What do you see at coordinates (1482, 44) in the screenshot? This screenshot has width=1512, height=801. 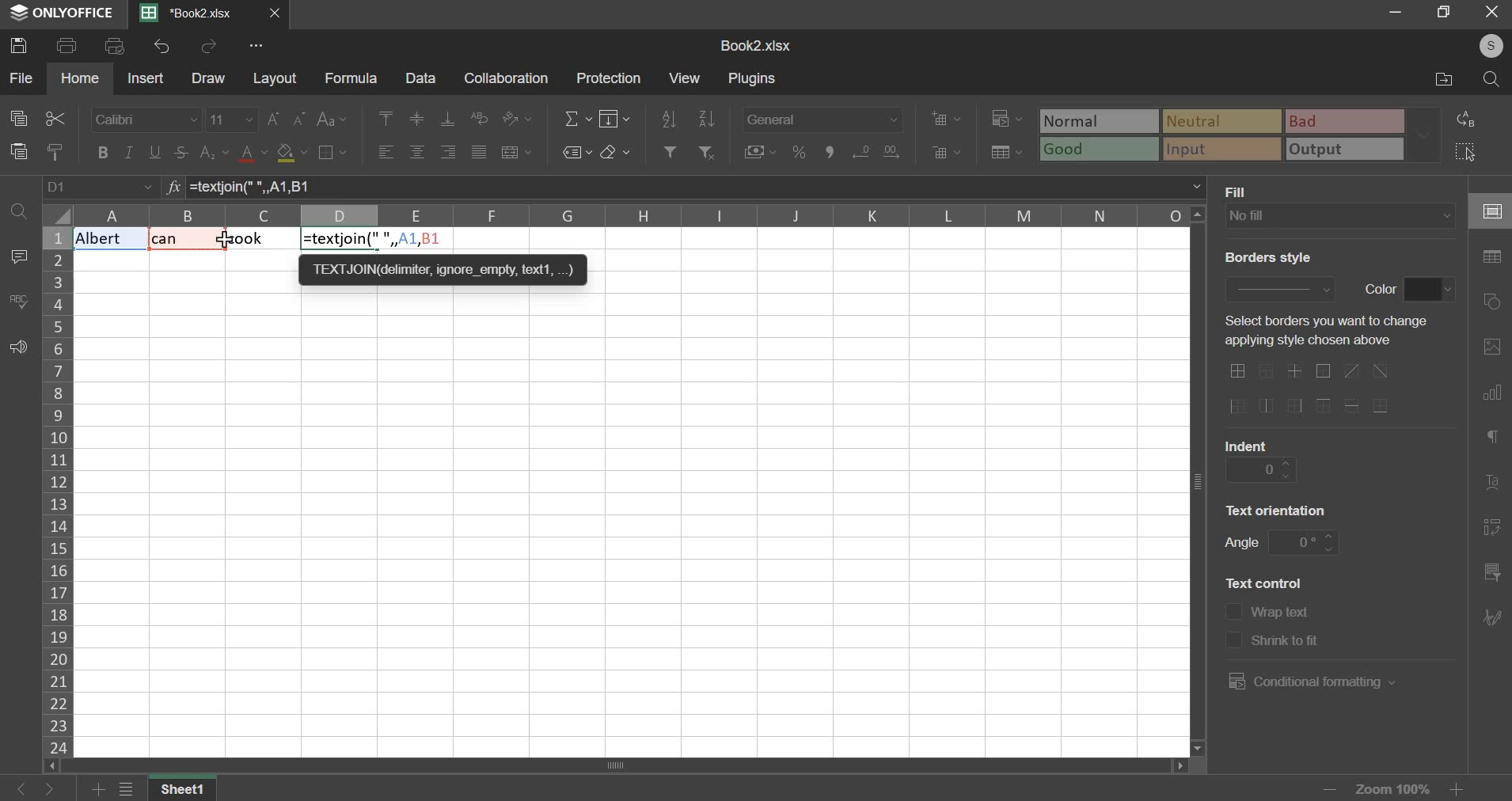 I see `user's account` at bounding box center [1482, 44].